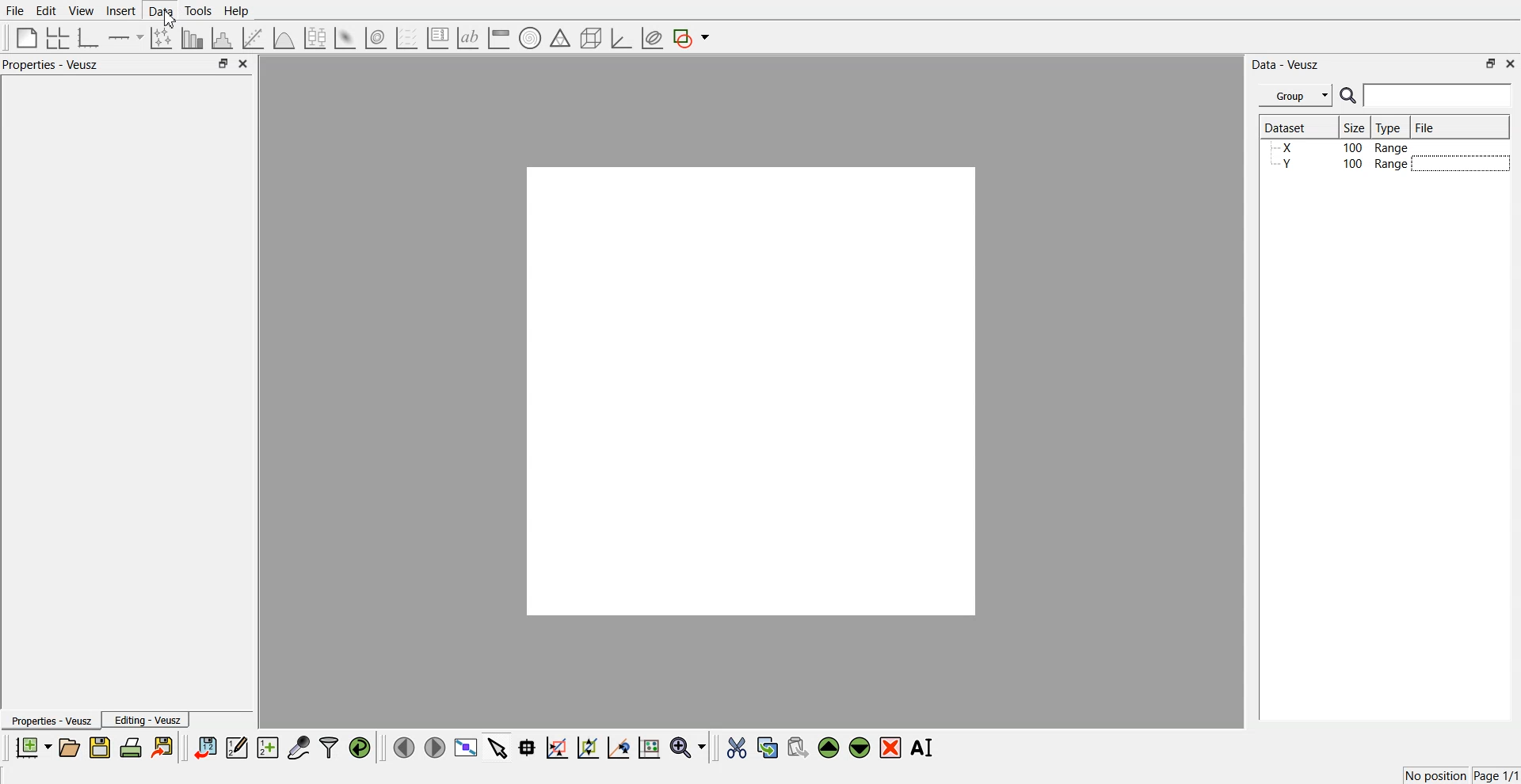 The width and height of the screenshot is (1521, 784). I want to click on View plot full screen, so click(467, 747).